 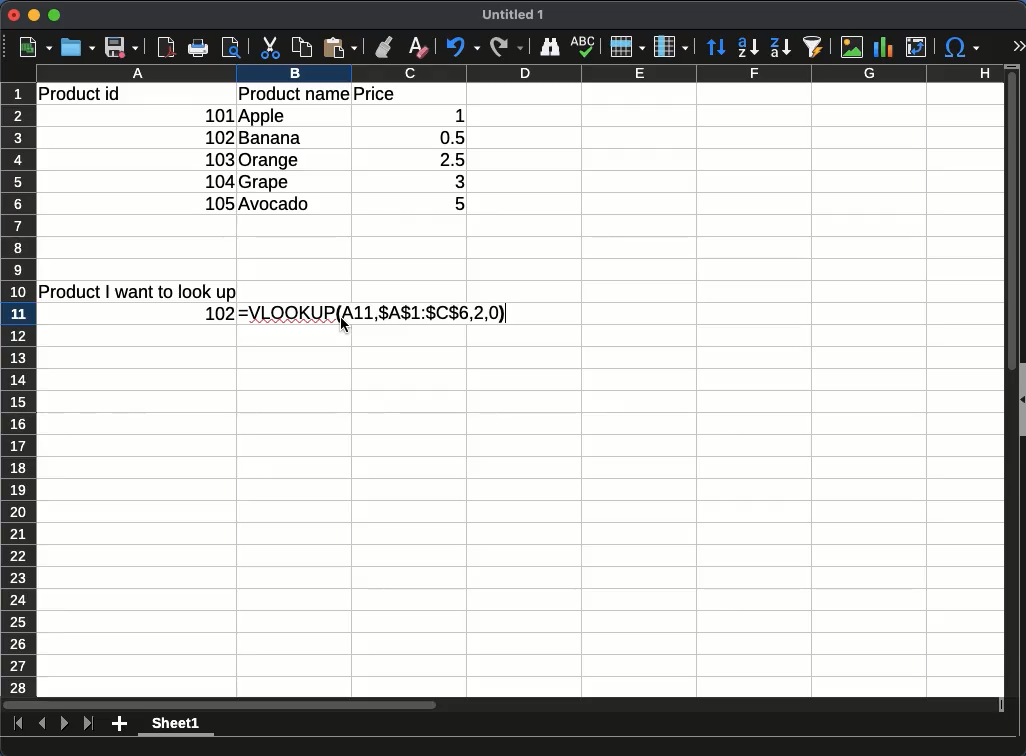 What do you see at coordinates (1023, 400) in the screenshot?
I see `Collapse/Expand` at bounding box center [1023, 400].